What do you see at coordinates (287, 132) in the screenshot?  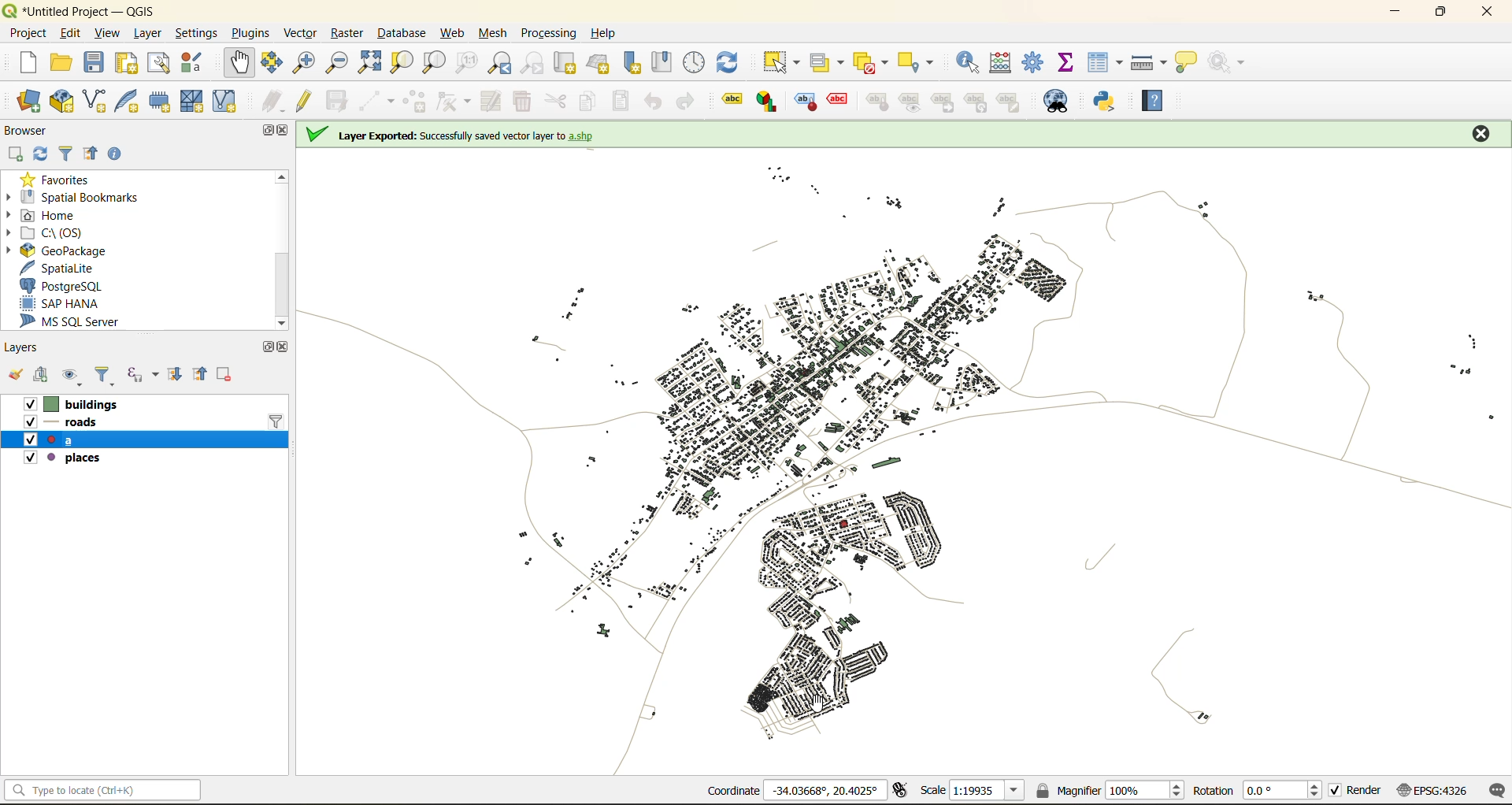 I see `close` at bounding box center [287, 132].